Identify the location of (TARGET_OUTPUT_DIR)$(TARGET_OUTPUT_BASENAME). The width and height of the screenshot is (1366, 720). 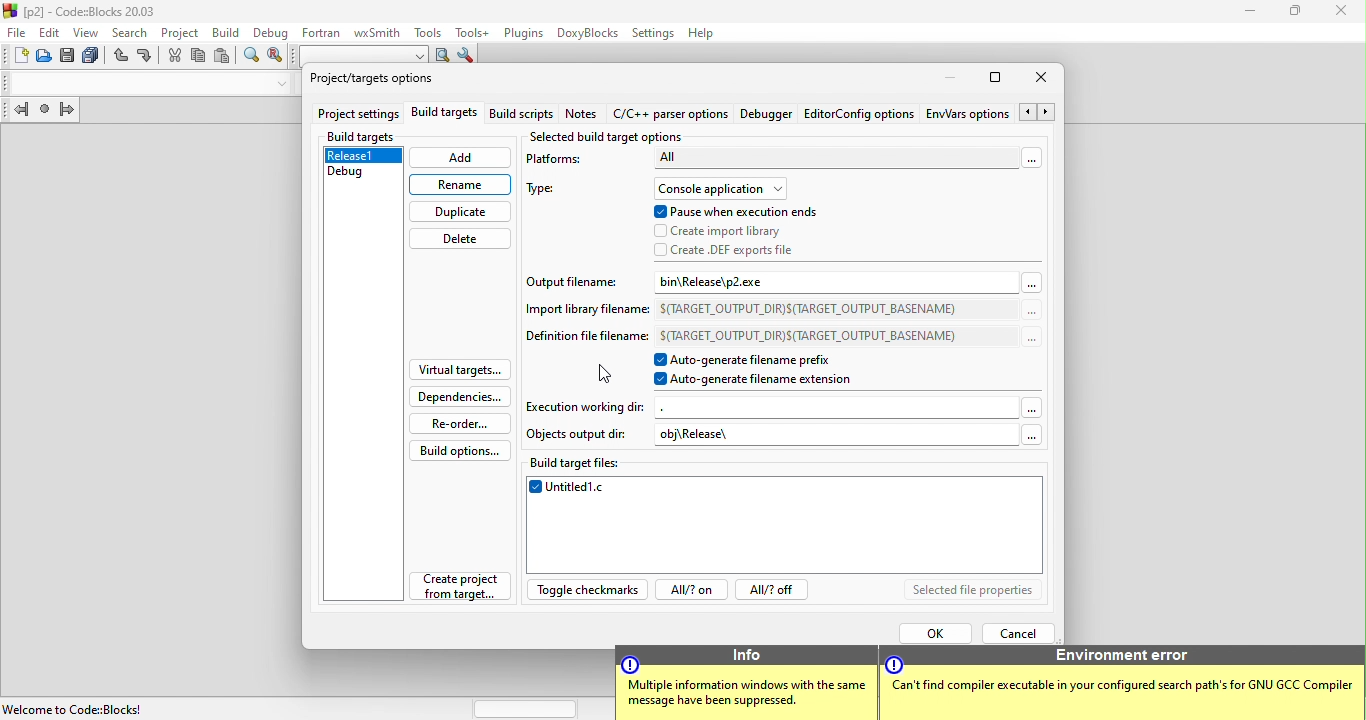
(811, 308).